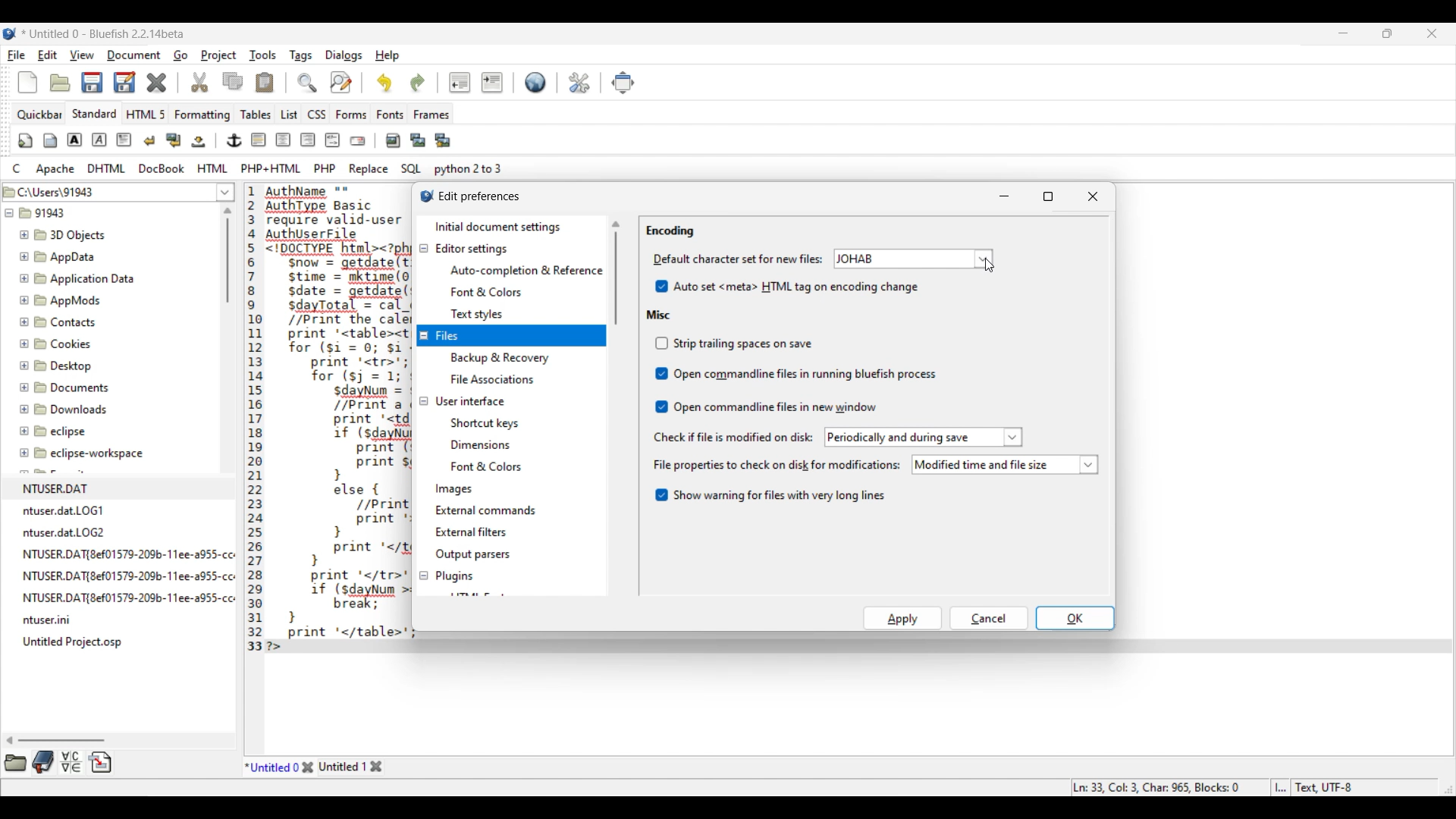  I want to click on Copy, so click(233, 81).